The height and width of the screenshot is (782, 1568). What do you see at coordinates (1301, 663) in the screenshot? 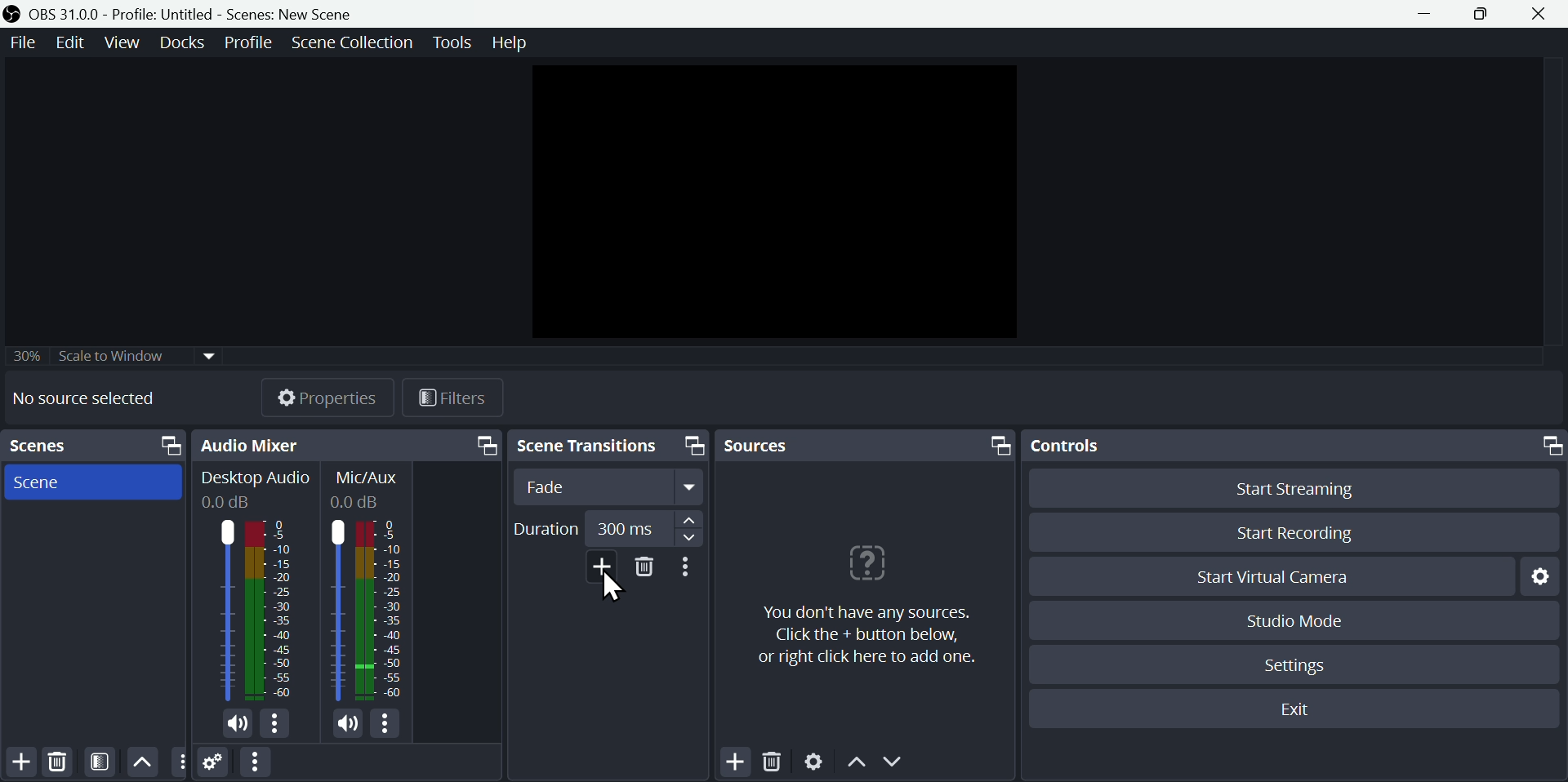
I see `Settings` at bounding box center [1301, 663].